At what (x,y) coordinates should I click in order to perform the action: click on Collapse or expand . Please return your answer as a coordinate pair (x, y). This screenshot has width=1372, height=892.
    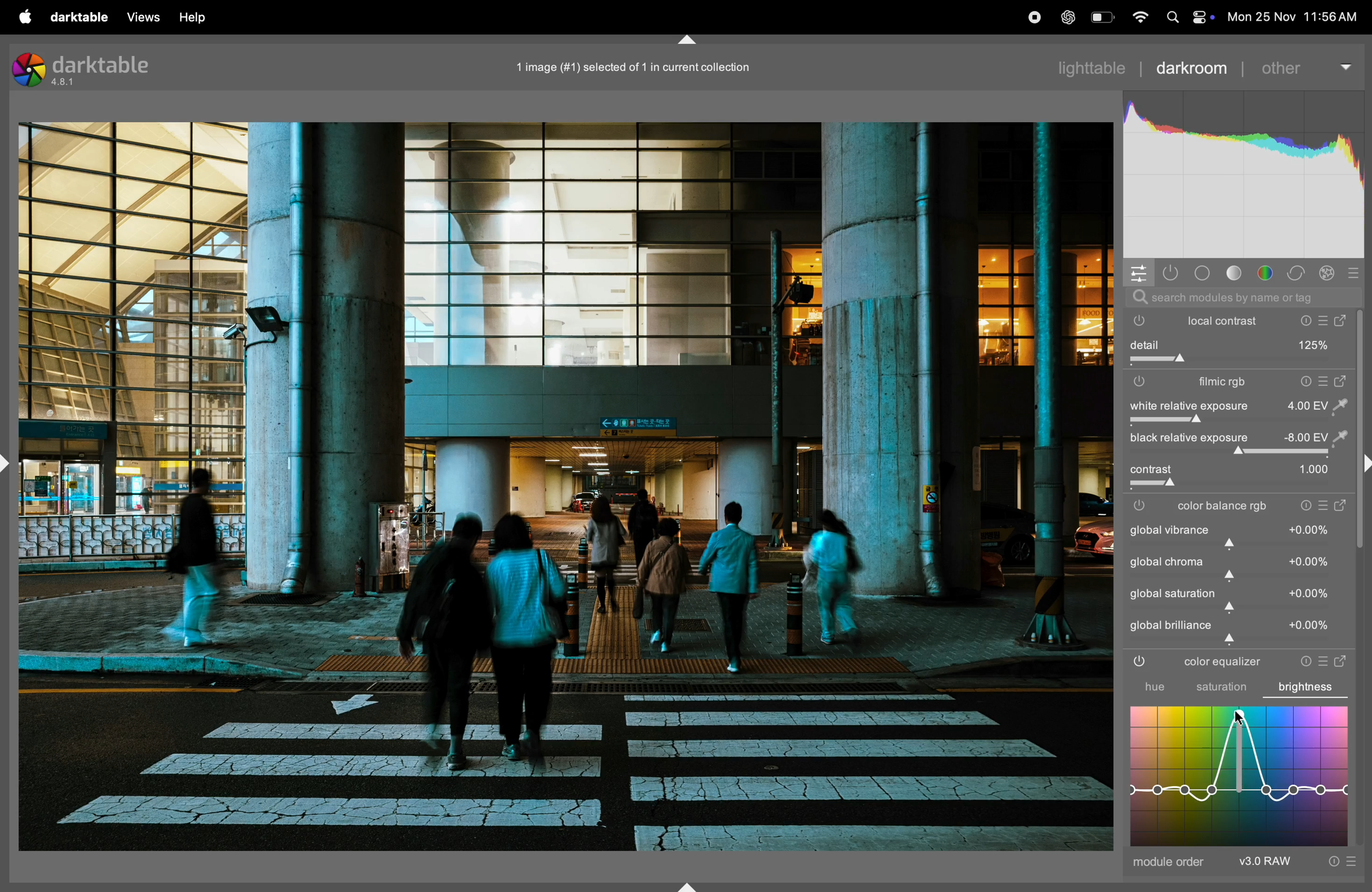
    Looking at the image, I should click on (689, 36).